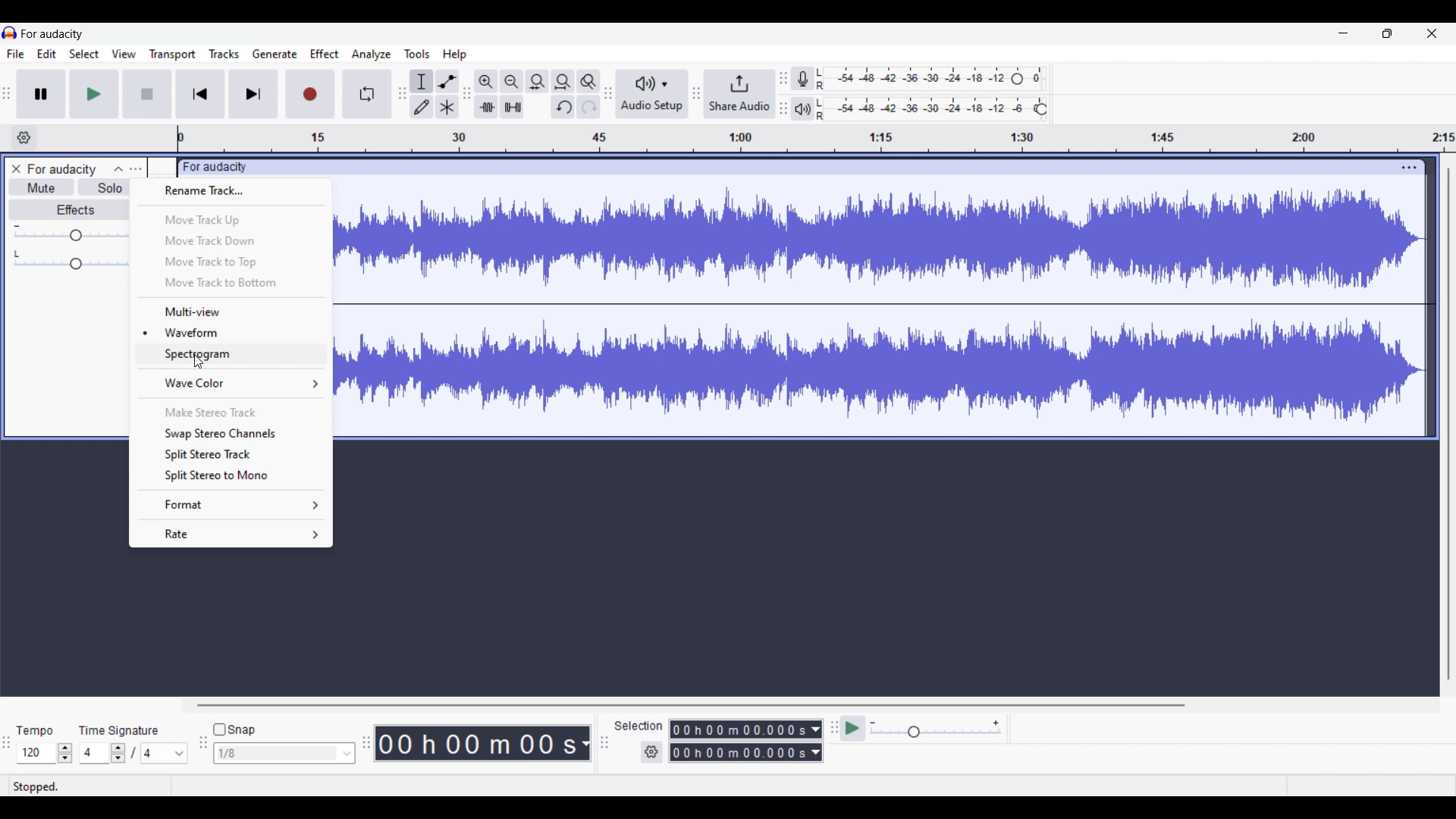 This screenshot has width=1456, height=819. What do you see at coordinates (1432, 33) in the screenshot?
I see `Close interface` at bounding box center [1432, 33].